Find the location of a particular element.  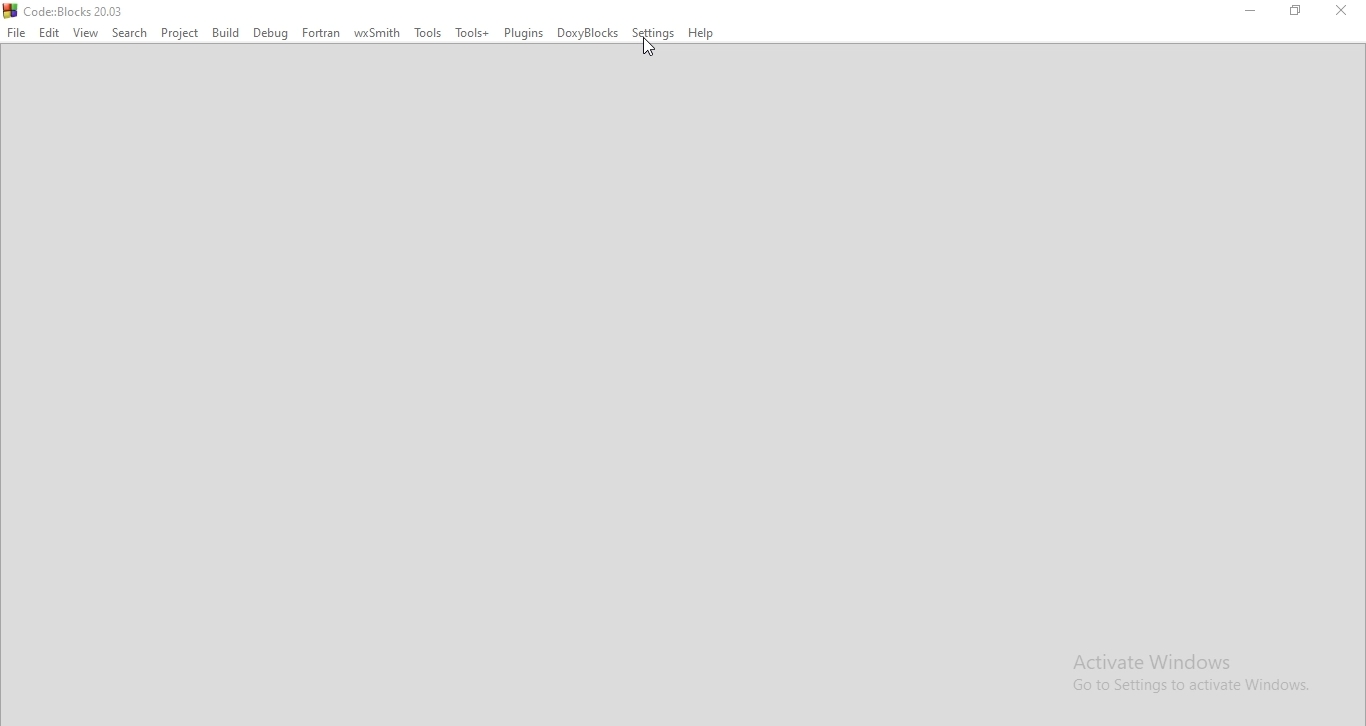

restore is located at coordinates (1301, 13).